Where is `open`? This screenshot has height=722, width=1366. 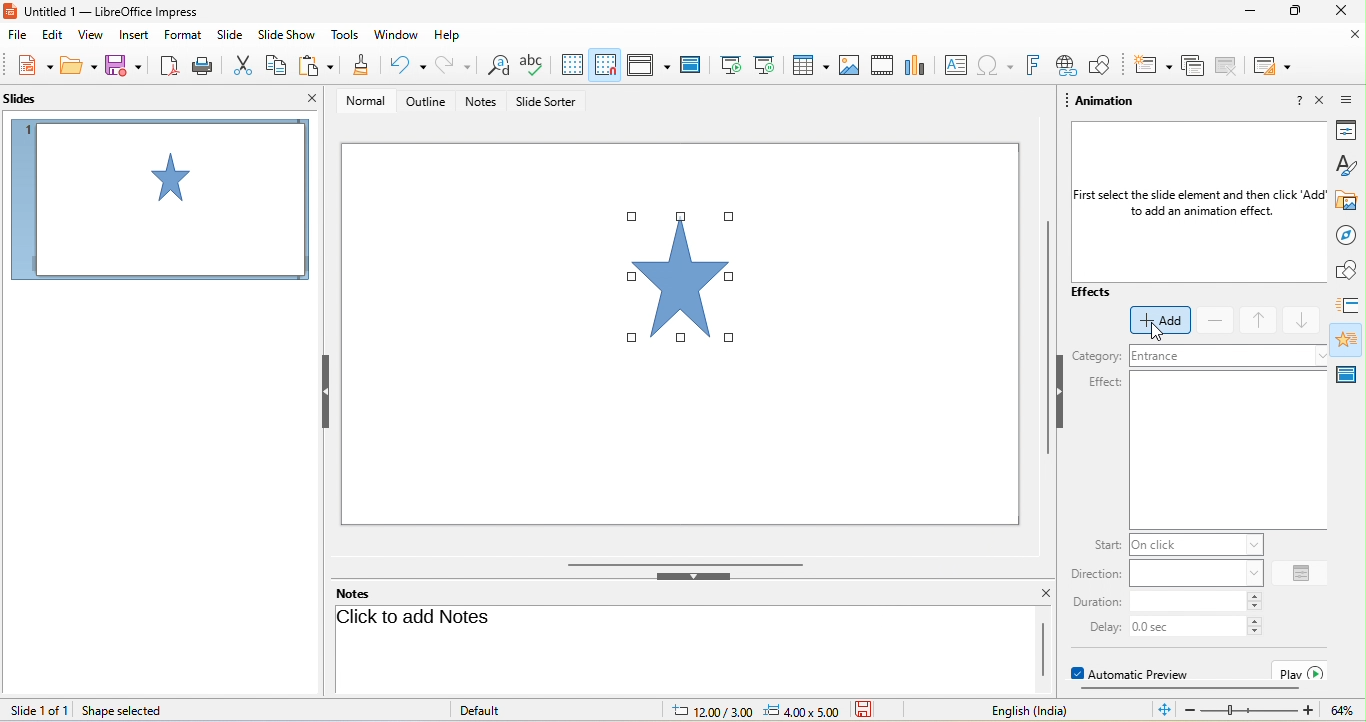 open is located at coordinates (78, 66).